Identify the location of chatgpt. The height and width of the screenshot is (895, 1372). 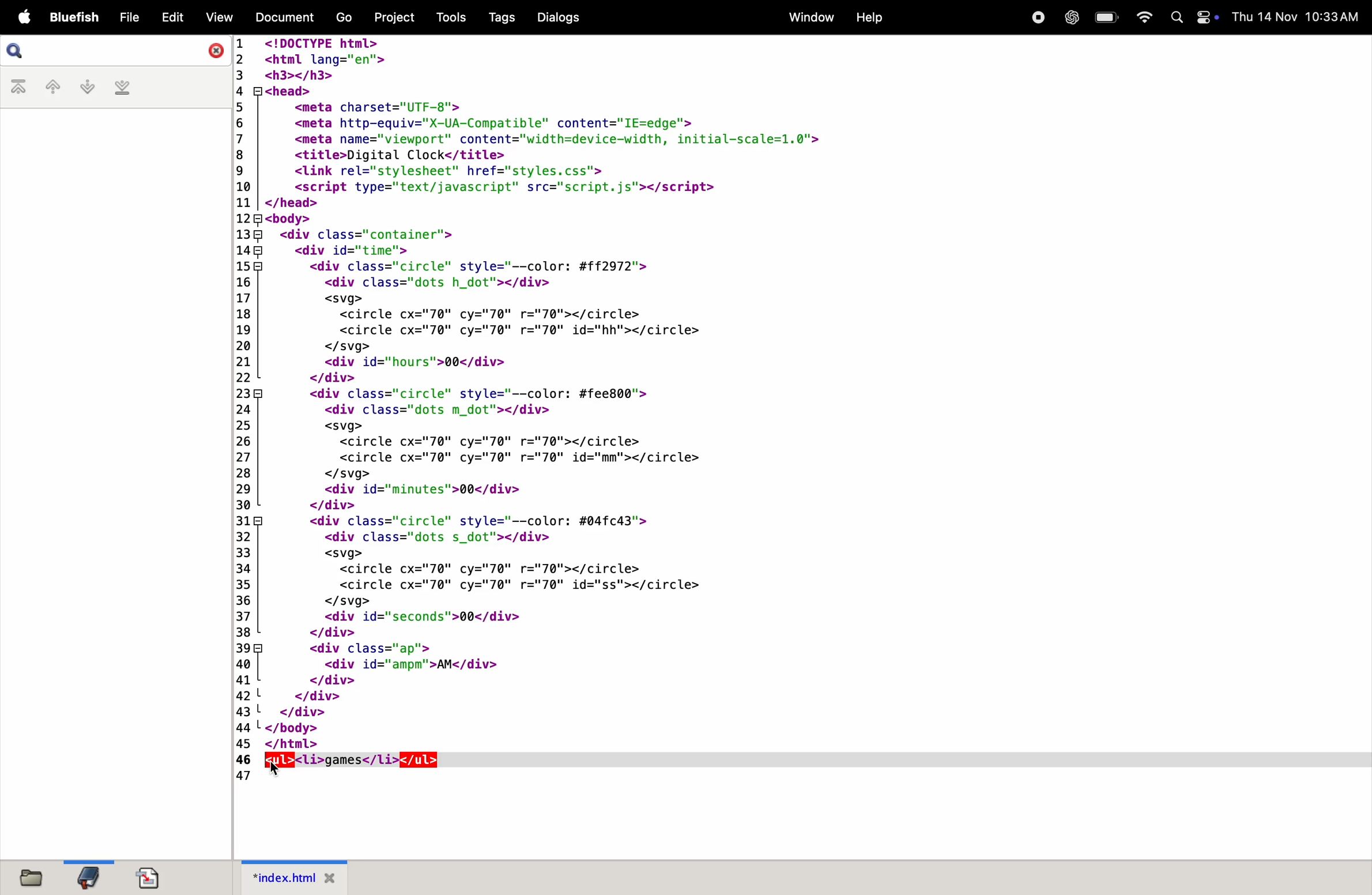
(1071, 18).